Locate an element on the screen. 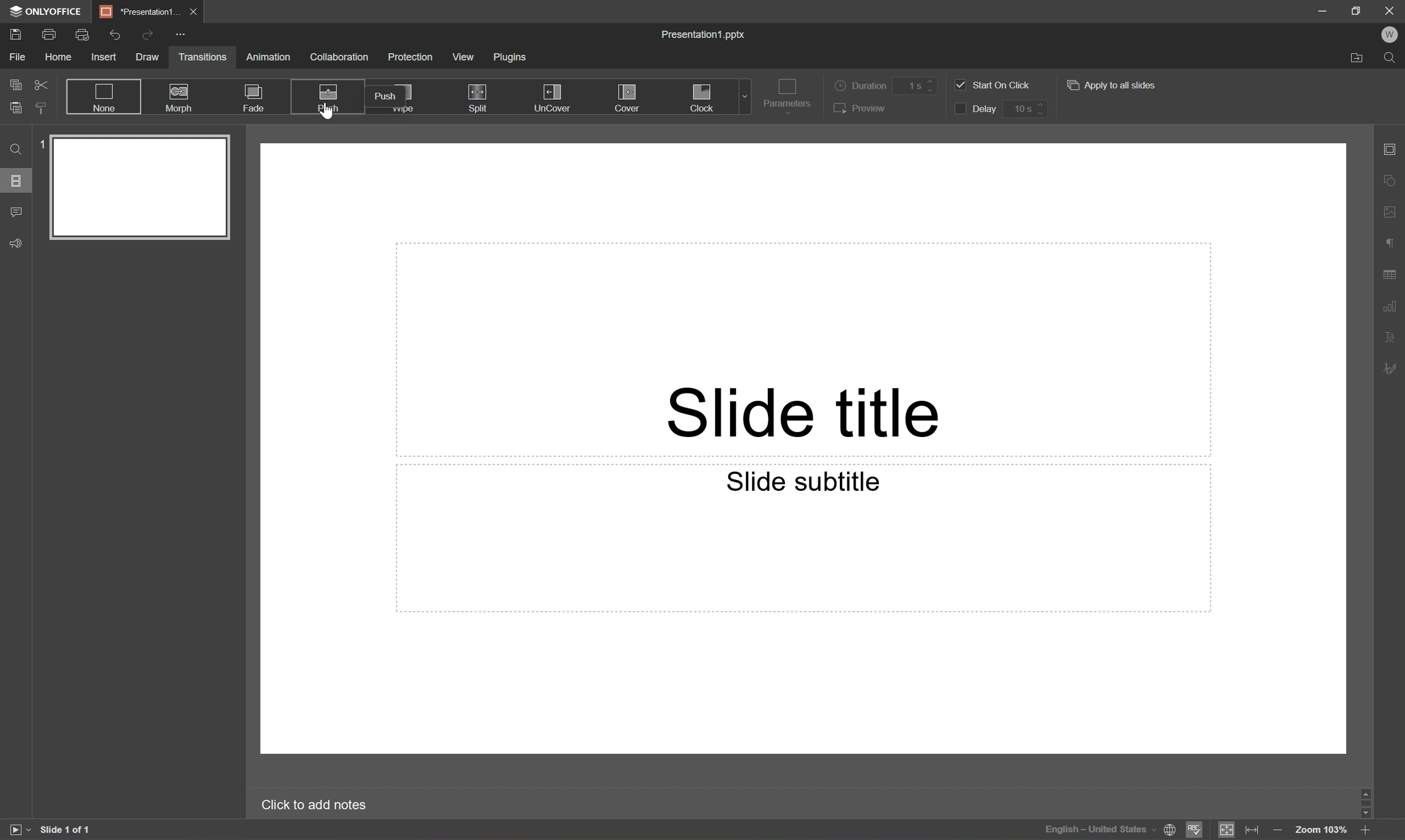 The height and width of the screenshot is (840, 1405). Scroll Bar is located at coordinates (1368, 803).